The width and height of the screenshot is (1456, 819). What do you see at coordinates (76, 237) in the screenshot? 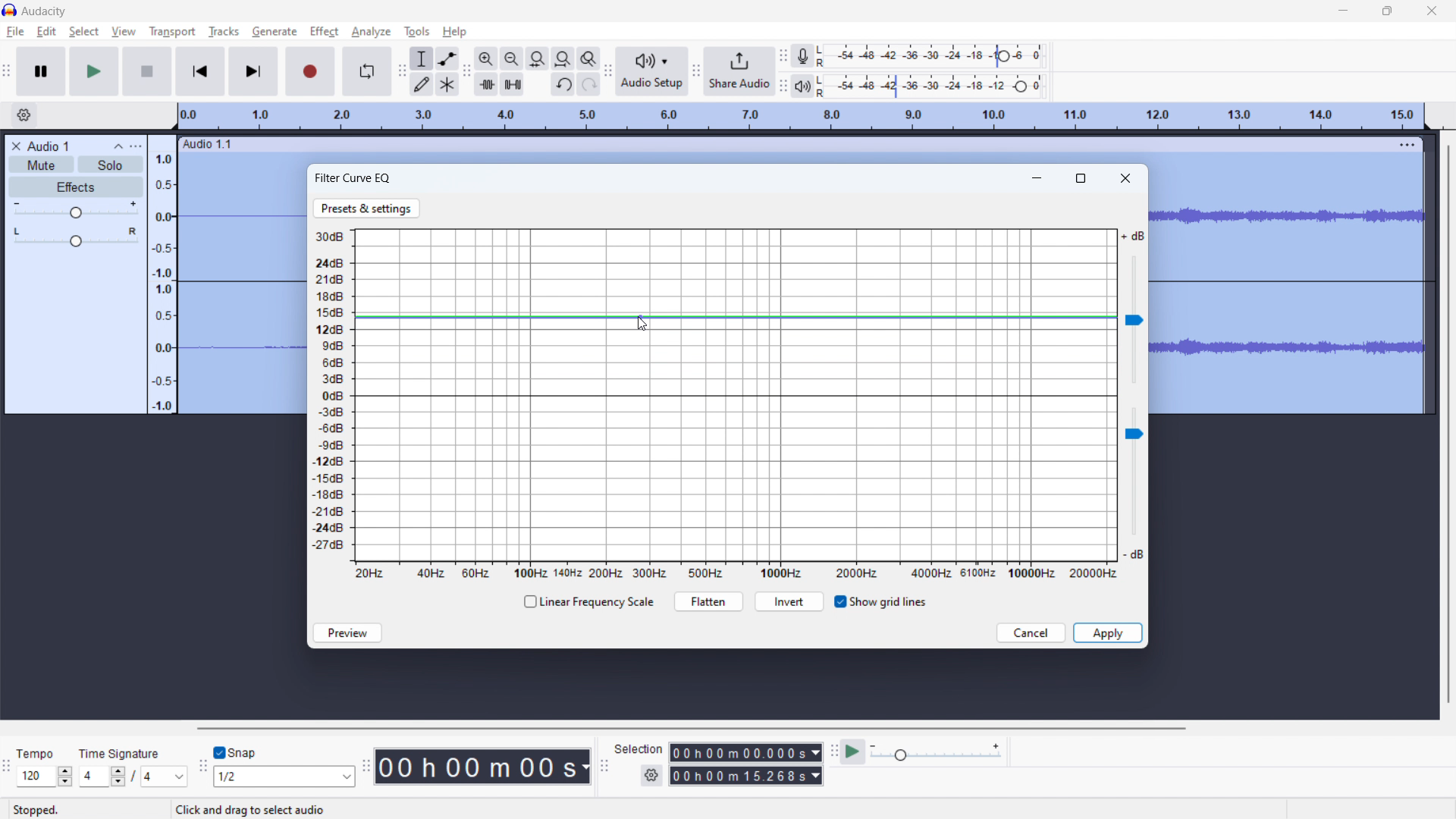
I see `pan: center` at bounding box center [76, 237].